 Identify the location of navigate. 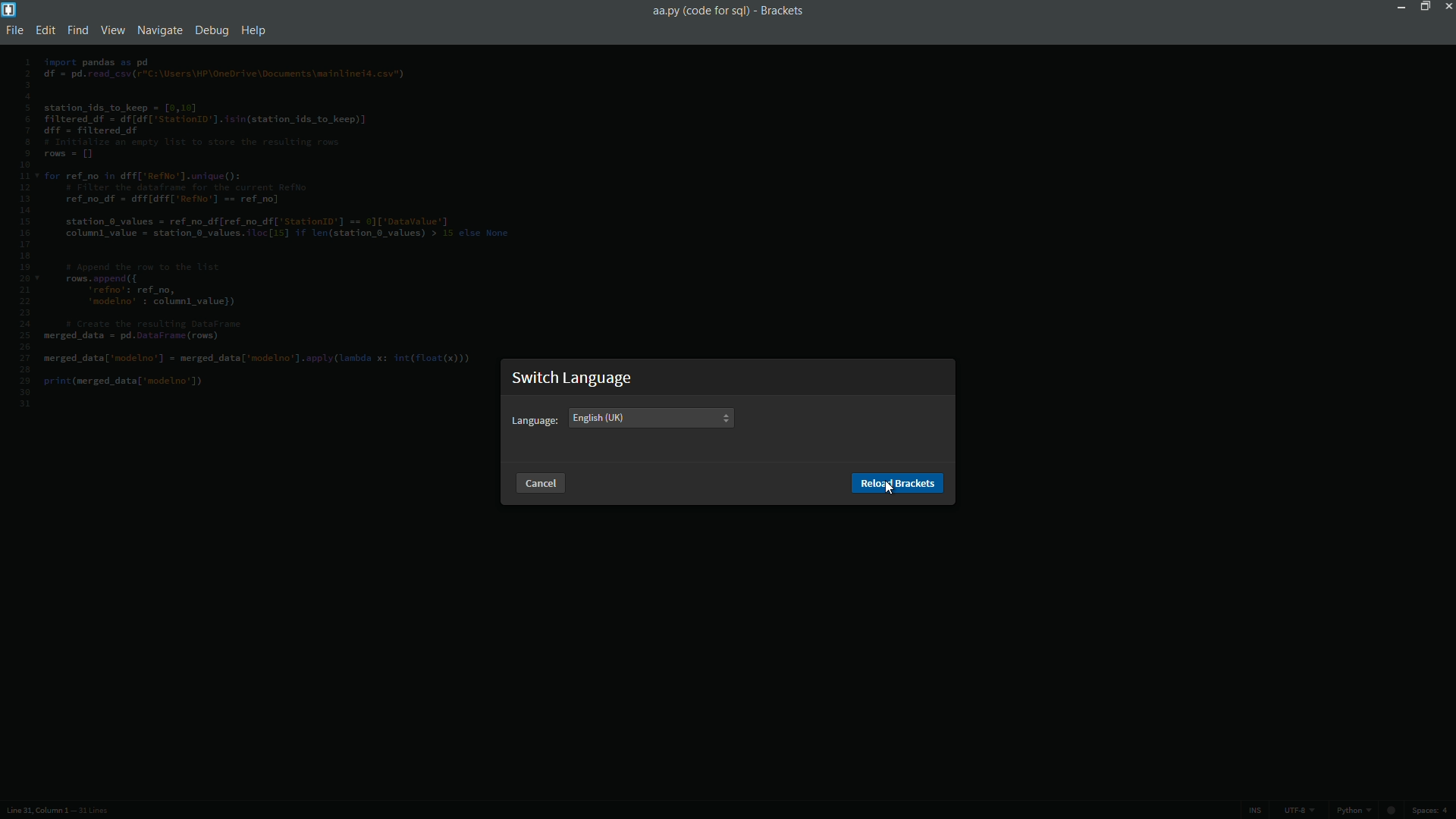
(157, 30).